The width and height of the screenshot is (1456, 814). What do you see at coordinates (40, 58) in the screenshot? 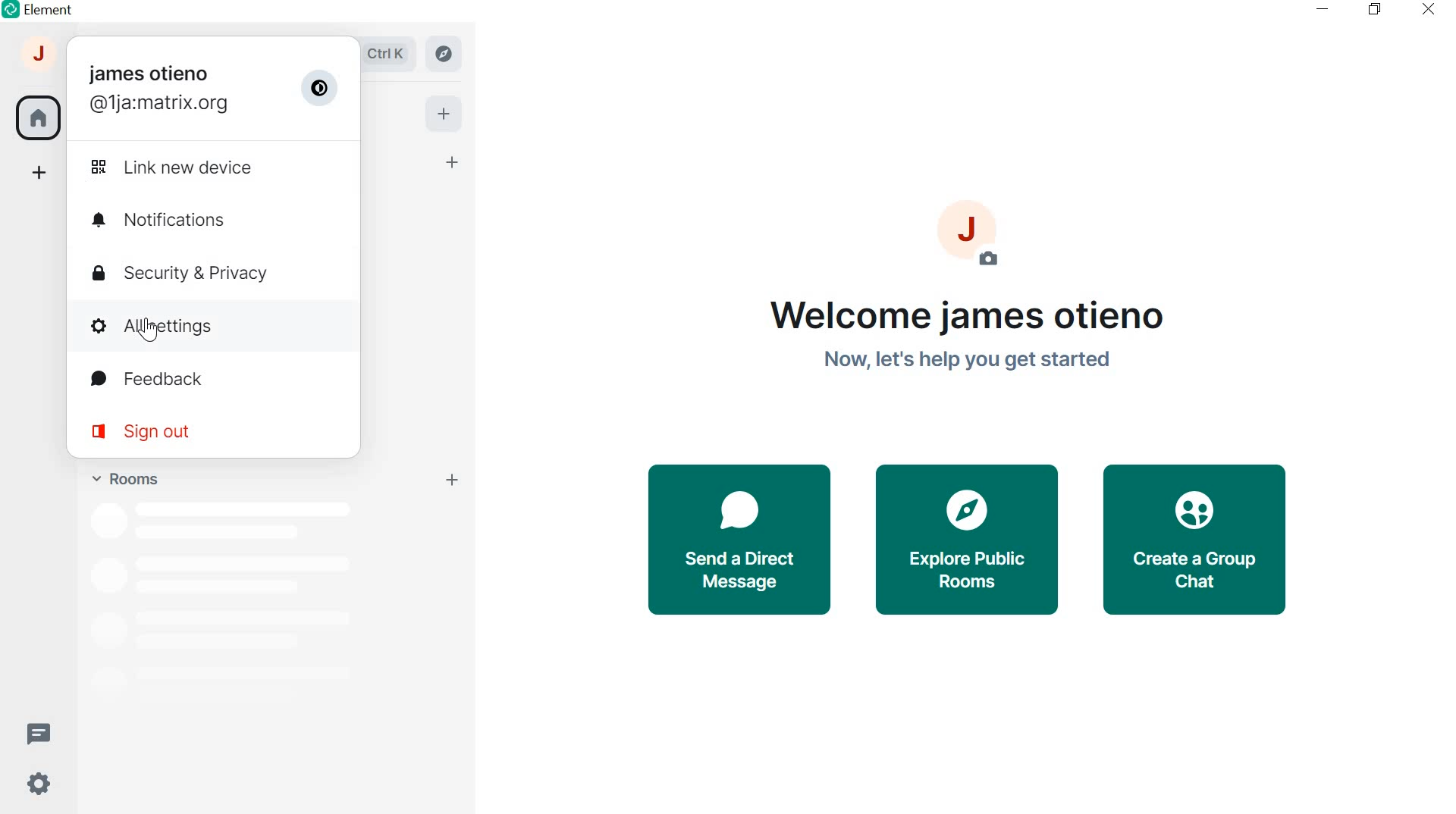
I see `ACCOUNT` at bounding box center [40, 58].